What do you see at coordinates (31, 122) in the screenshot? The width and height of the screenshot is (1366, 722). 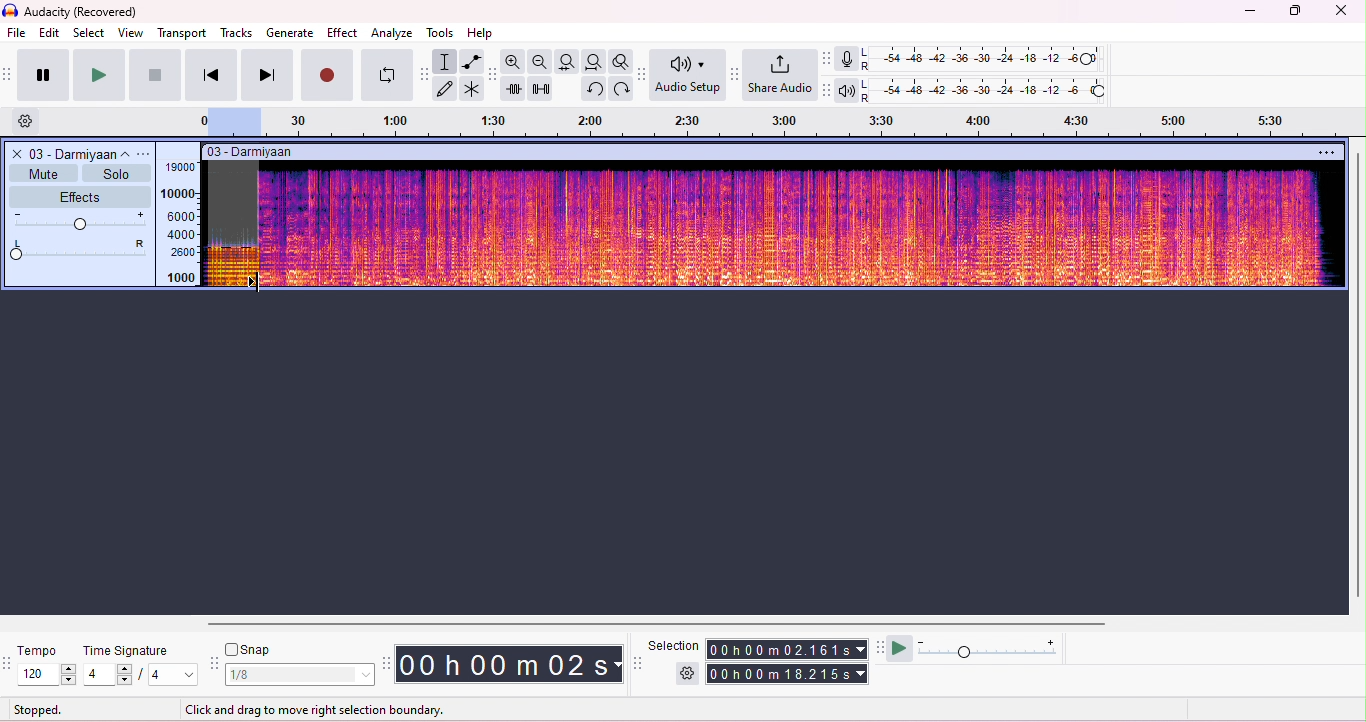 I see `settings` at bounding box center [31, 122].